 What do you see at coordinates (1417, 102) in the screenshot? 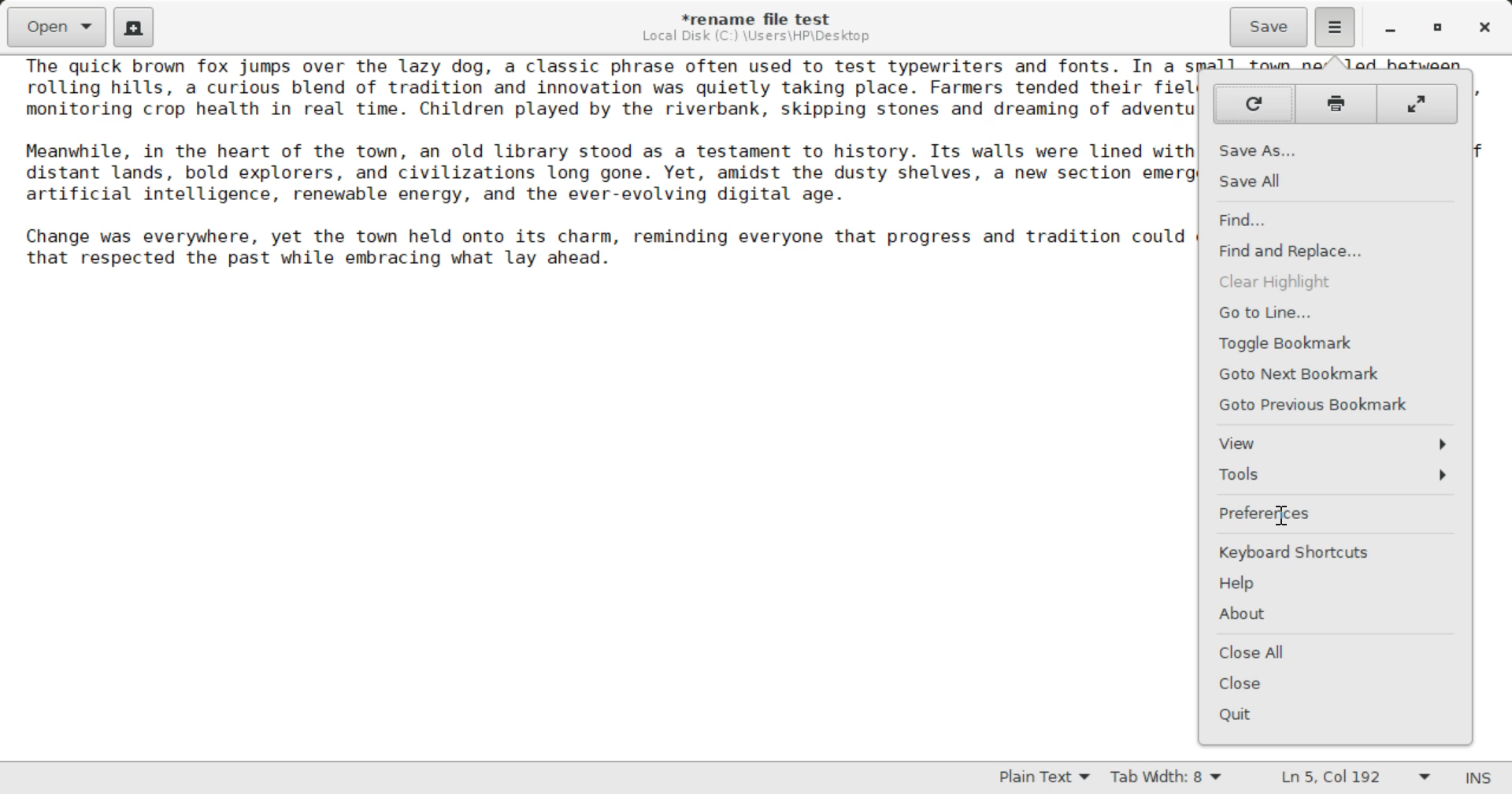
I see `Full Screen Mode` at bounding box center [1417, 102].